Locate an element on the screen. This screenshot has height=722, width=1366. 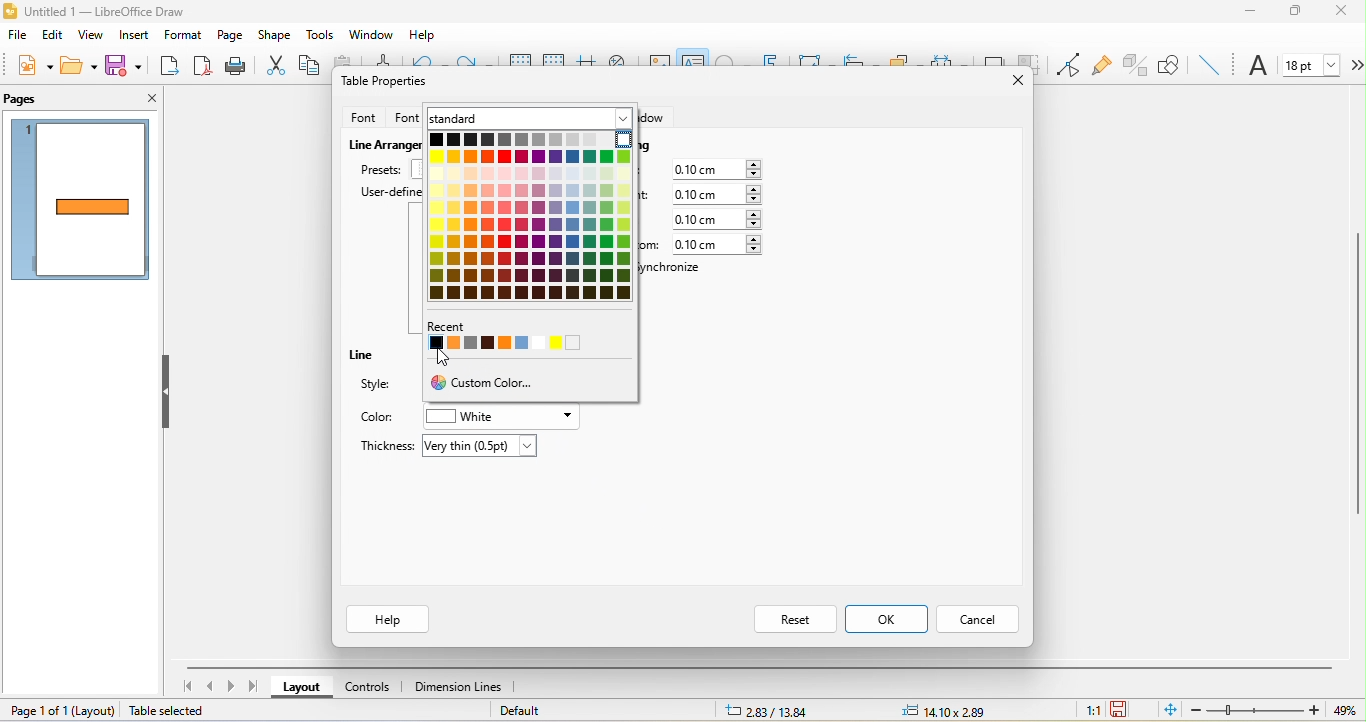
view is located at coordinates (91, 36).